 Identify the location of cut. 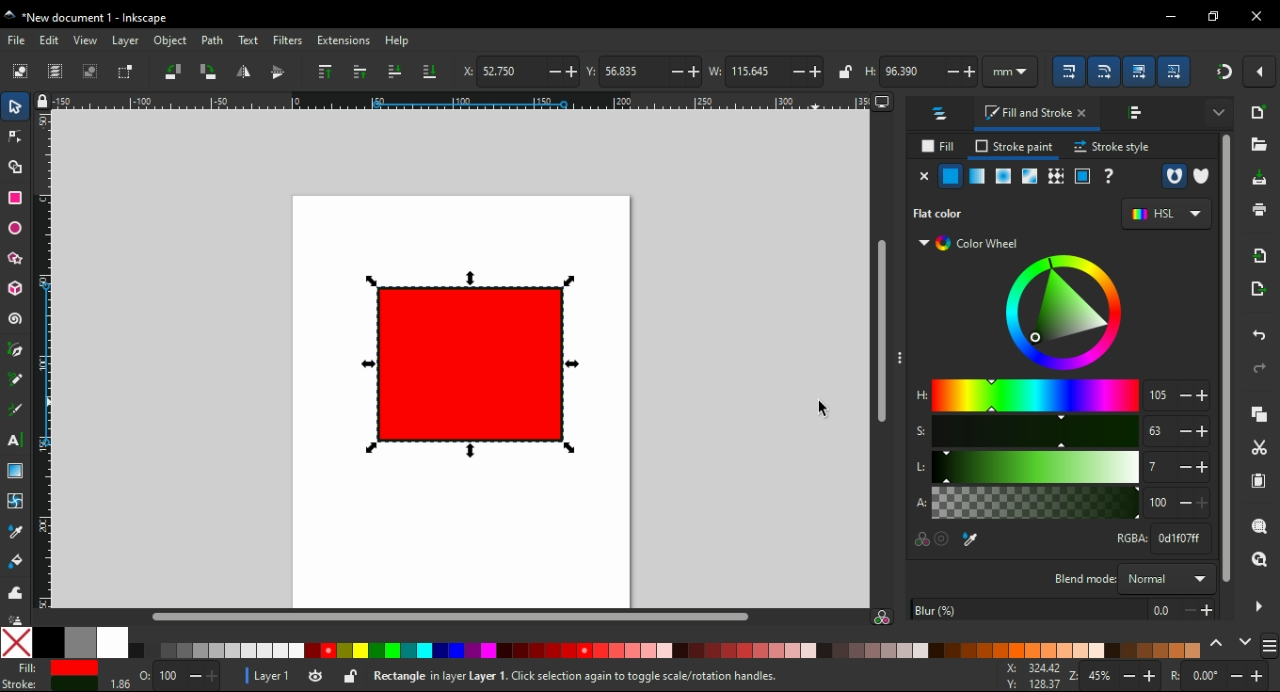
(1258, 448).